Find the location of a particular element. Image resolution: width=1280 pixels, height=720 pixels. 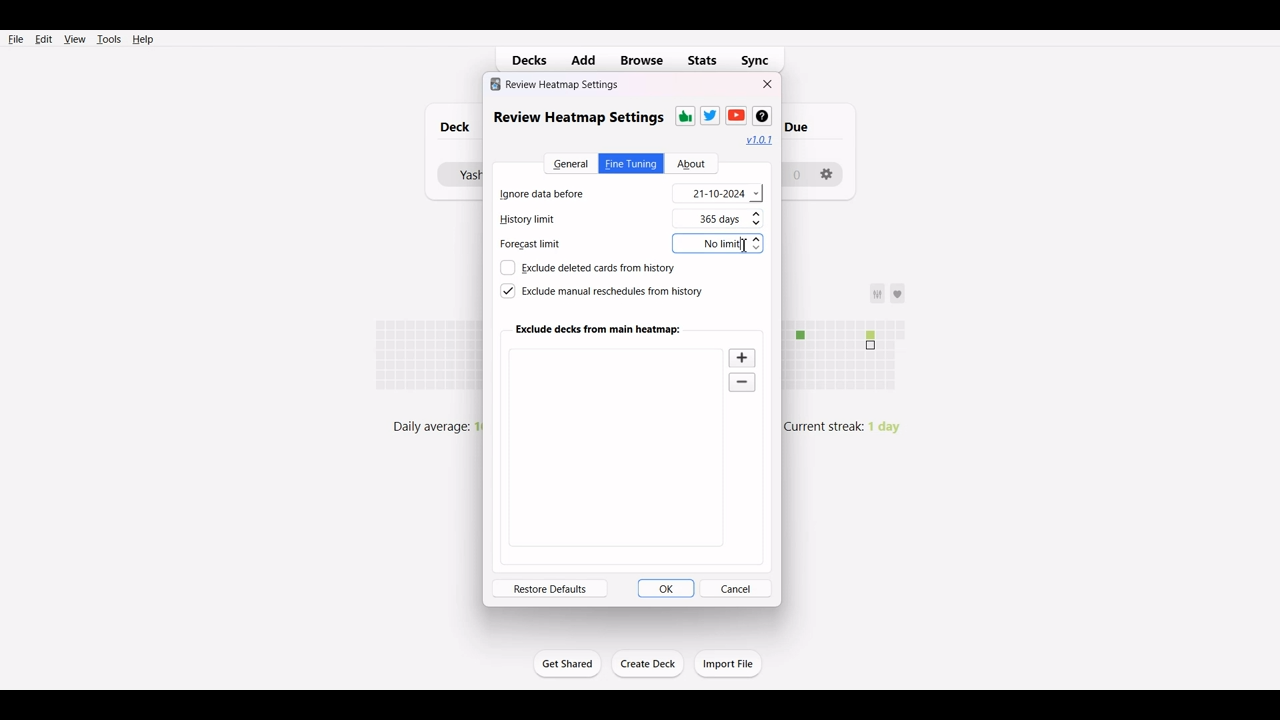

About is located at coordinates (691, 164).